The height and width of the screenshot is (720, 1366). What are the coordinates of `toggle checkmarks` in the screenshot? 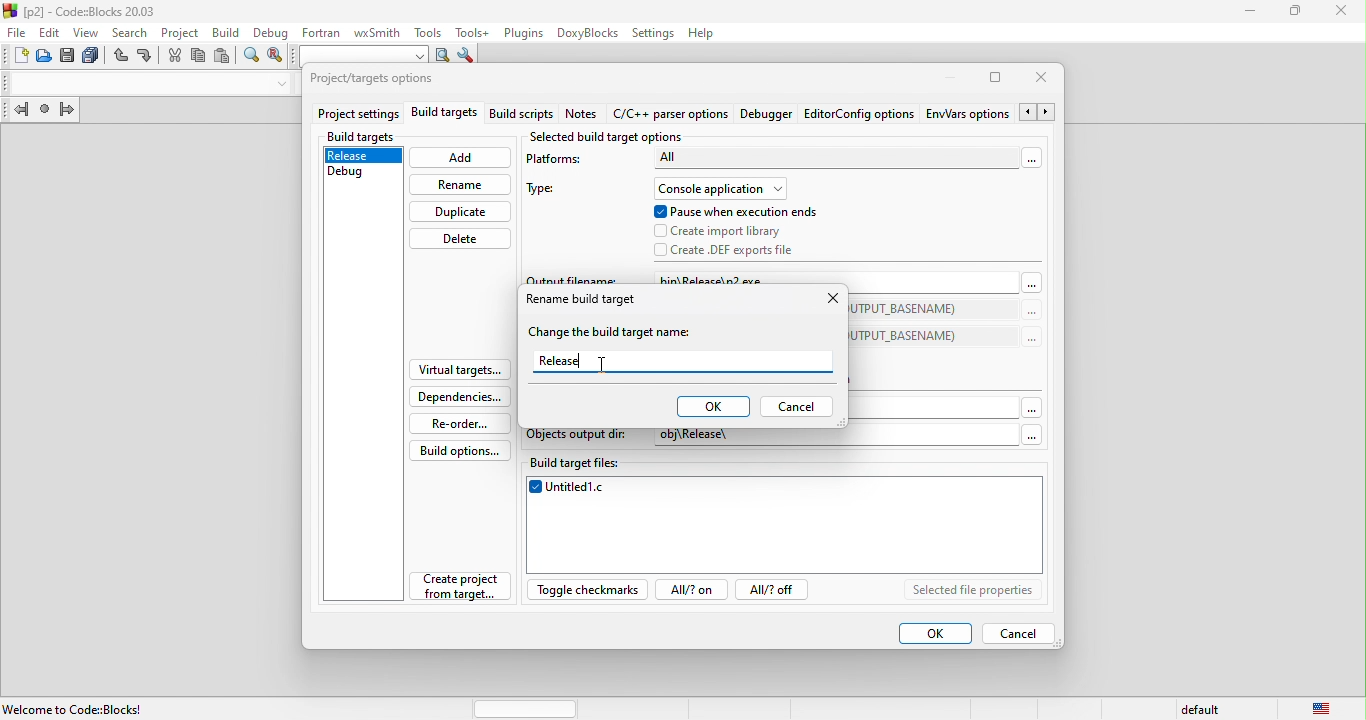 It's located at (590, 590).